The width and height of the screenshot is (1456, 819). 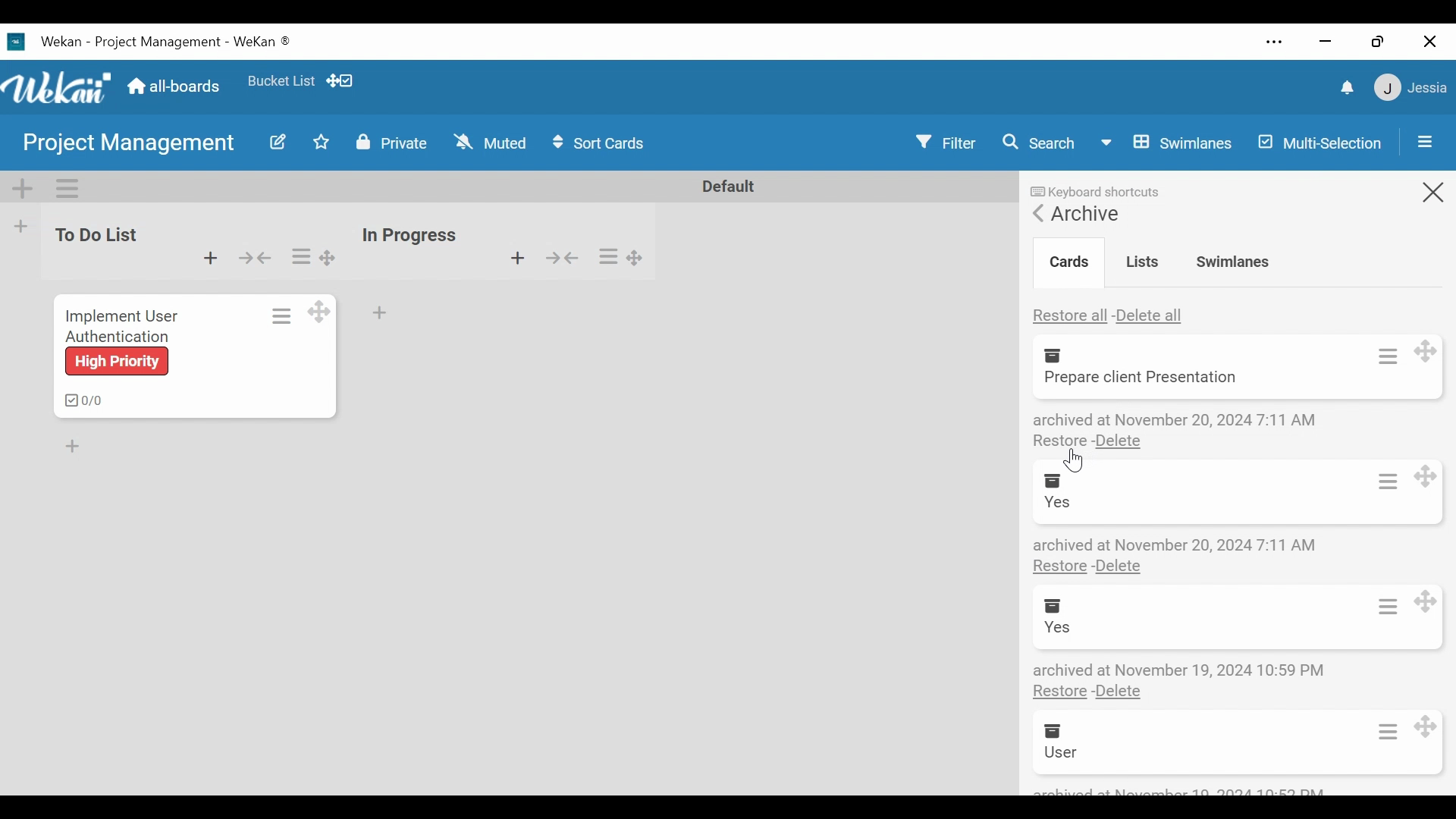 I want to click on Add Swimlane, so click(x=24, y=187).